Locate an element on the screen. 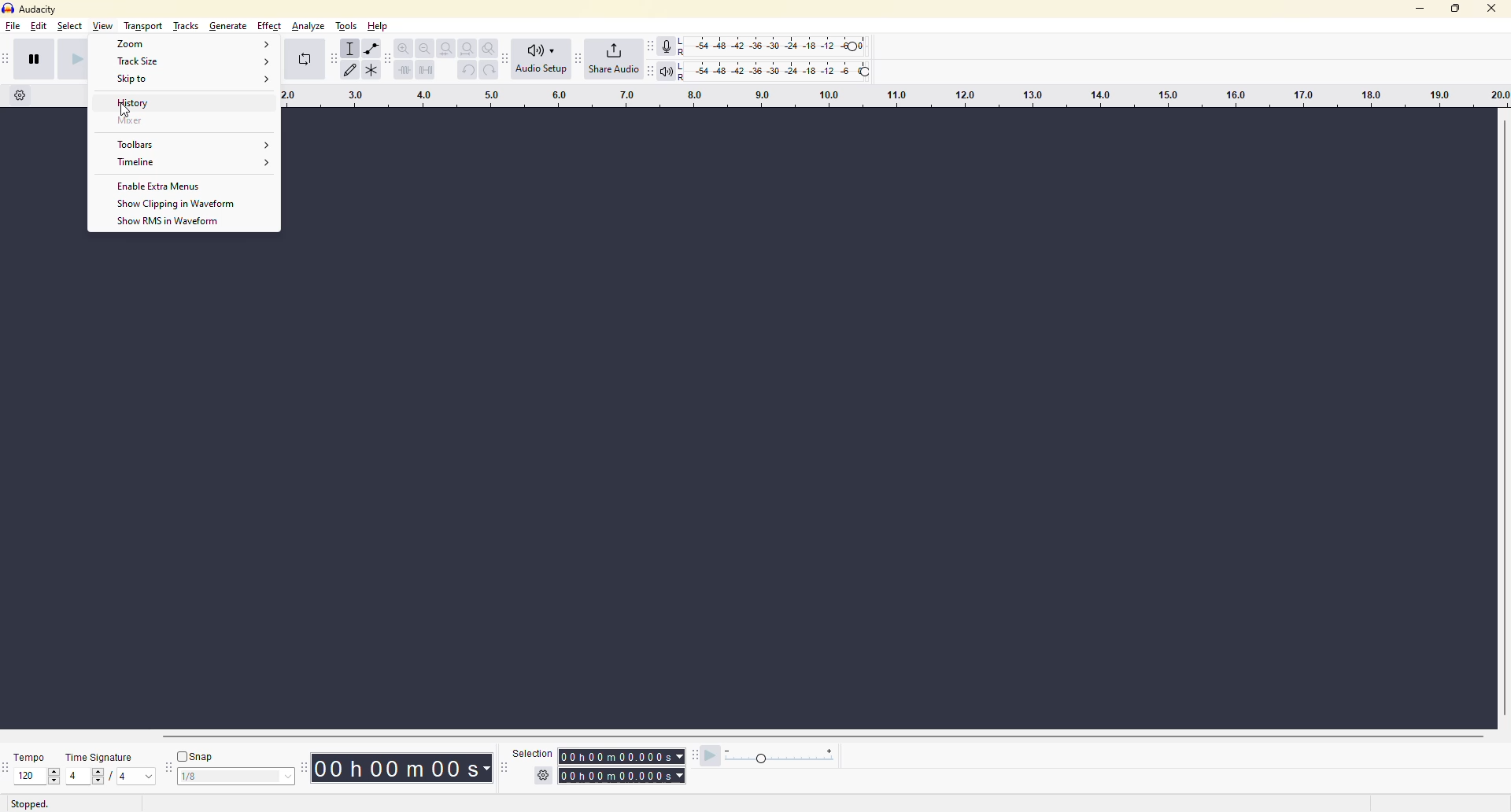 The image size is (1511, 812). value is located at coordinates (135, 777).